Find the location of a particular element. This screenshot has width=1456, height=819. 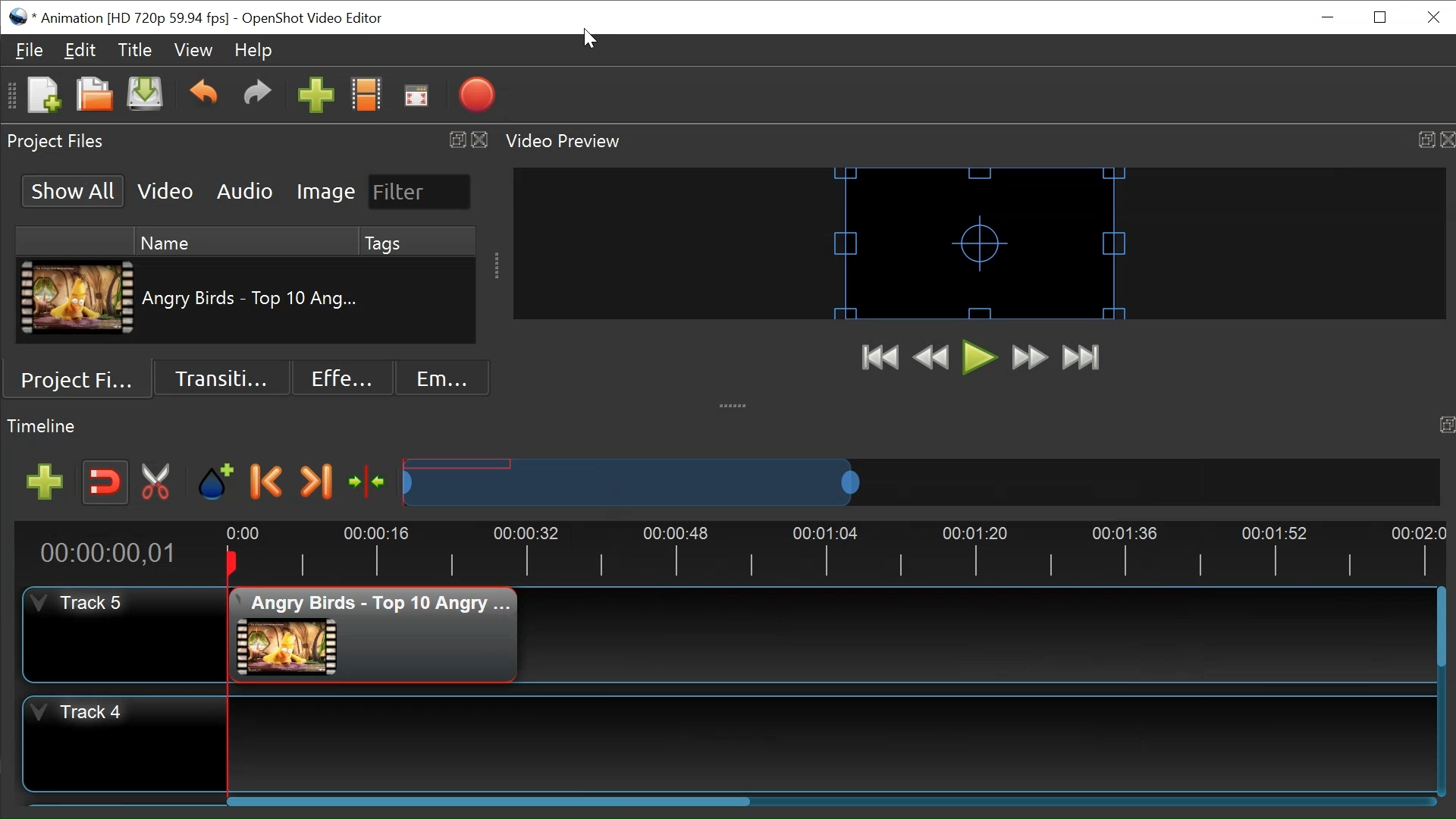

Play is located at coordinates (977, 357).